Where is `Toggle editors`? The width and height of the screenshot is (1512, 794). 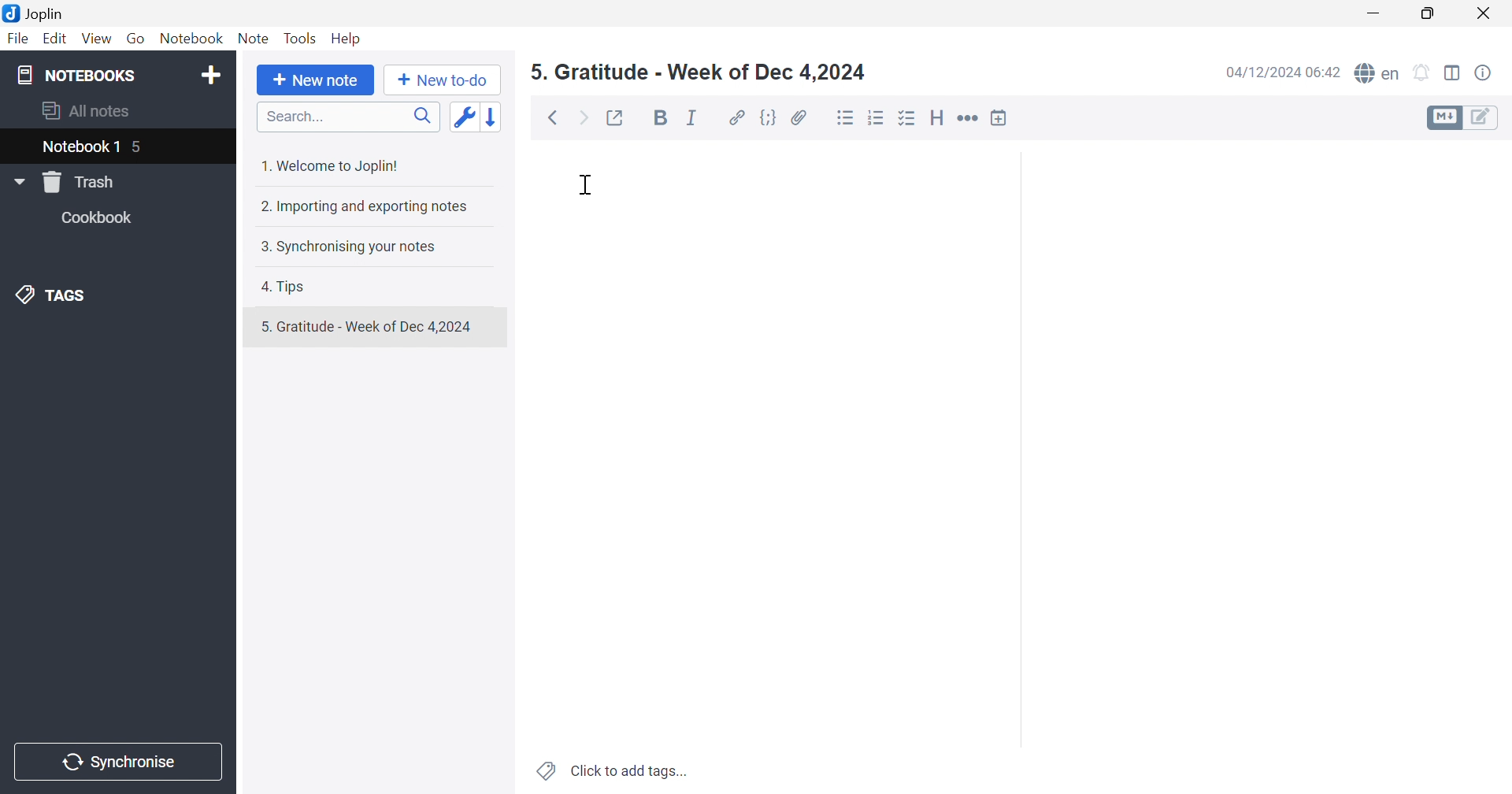 Toggle editors is located at coordinates (1466, 119).